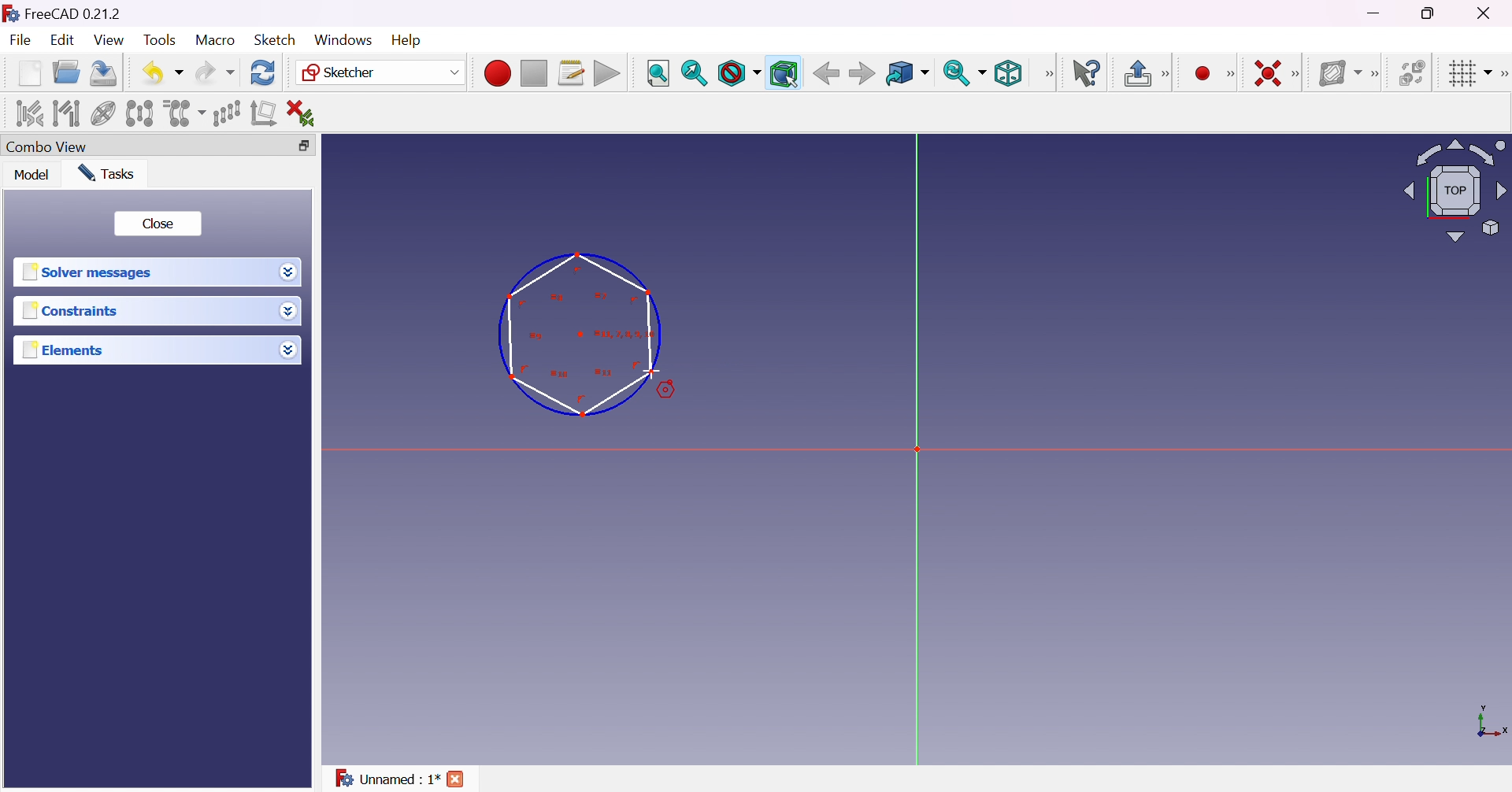 The width and height of the screenshot is (1512, 792). What do you see at coordinates (75, 310) in the screenshot?
I see `Constraints` at bounding box center [75, 310].